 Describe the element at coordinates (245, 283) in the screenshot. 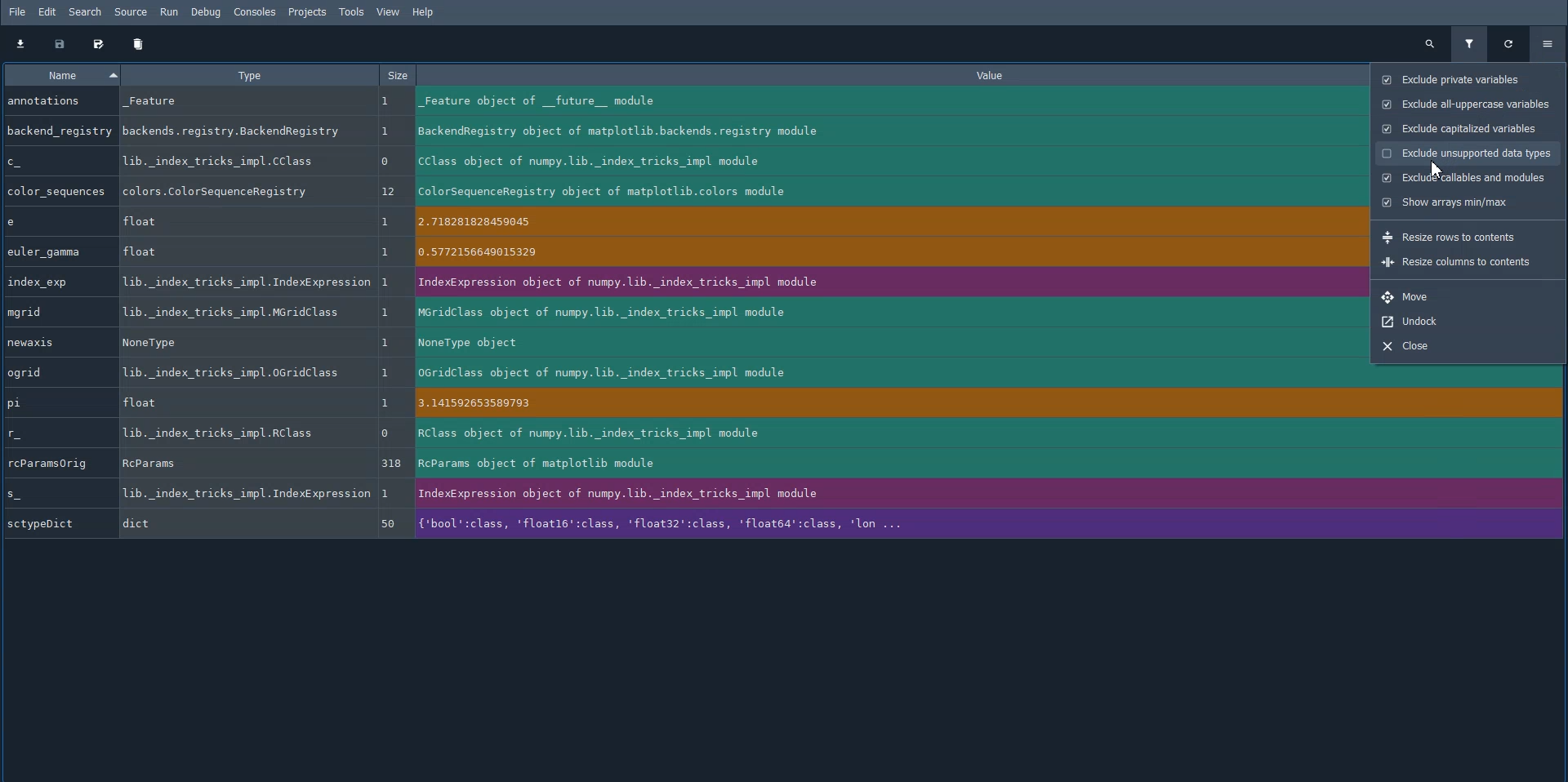

I see `type vlaue` at that location.